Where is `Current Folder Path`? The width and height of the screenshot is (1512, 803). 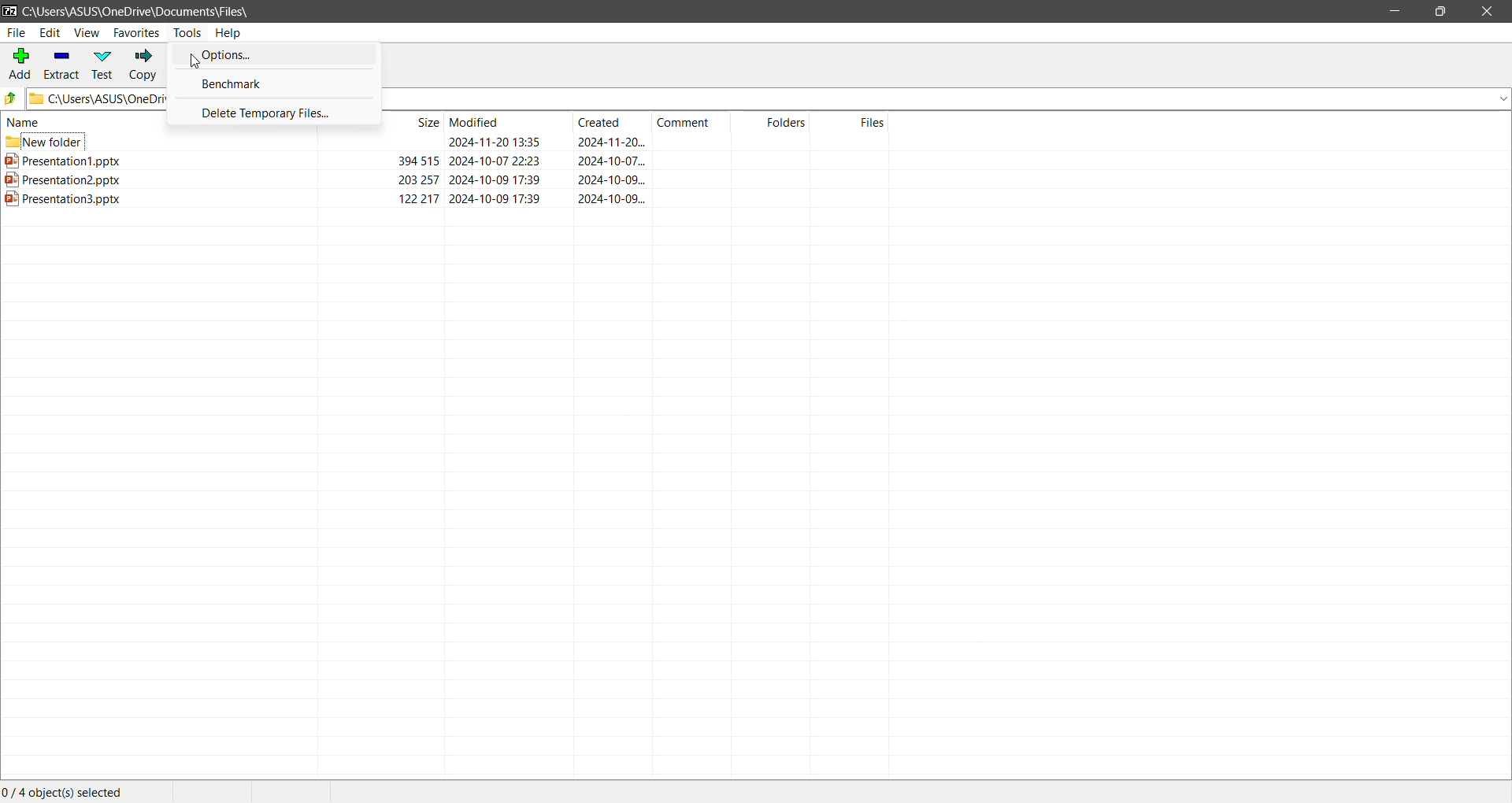 Current Folder Path is located at coordinates (147, 9).